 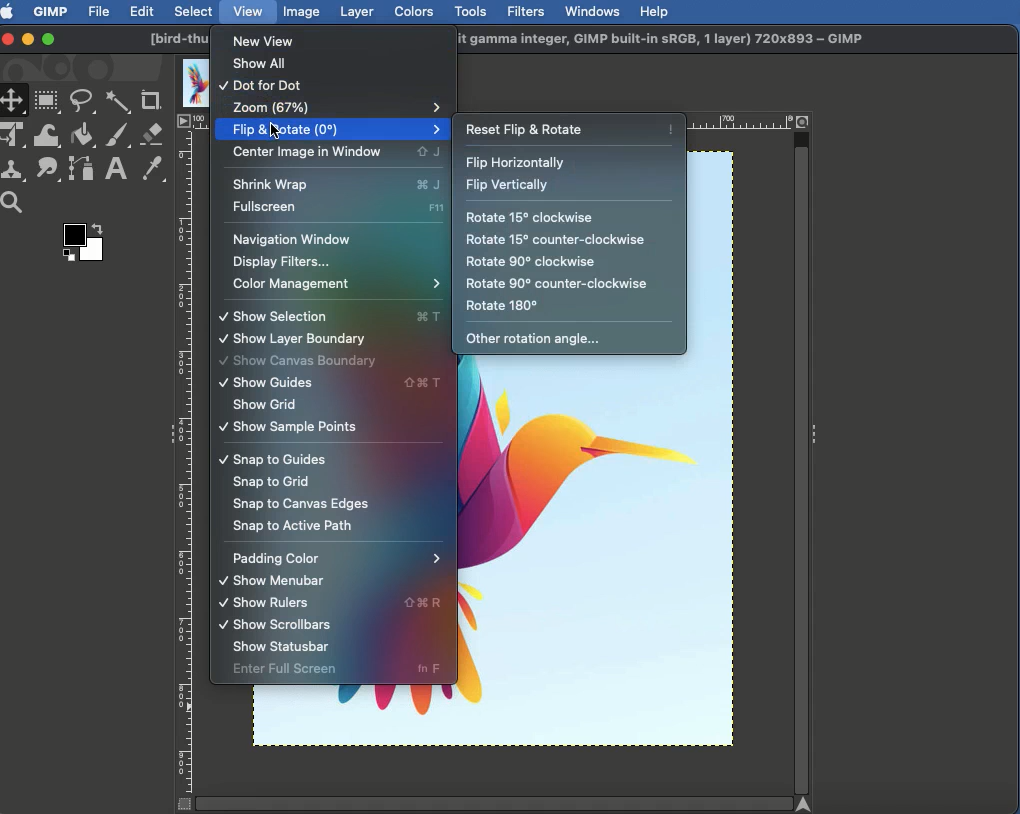 I want to click on Center image in window, so click(x=310, y=153).